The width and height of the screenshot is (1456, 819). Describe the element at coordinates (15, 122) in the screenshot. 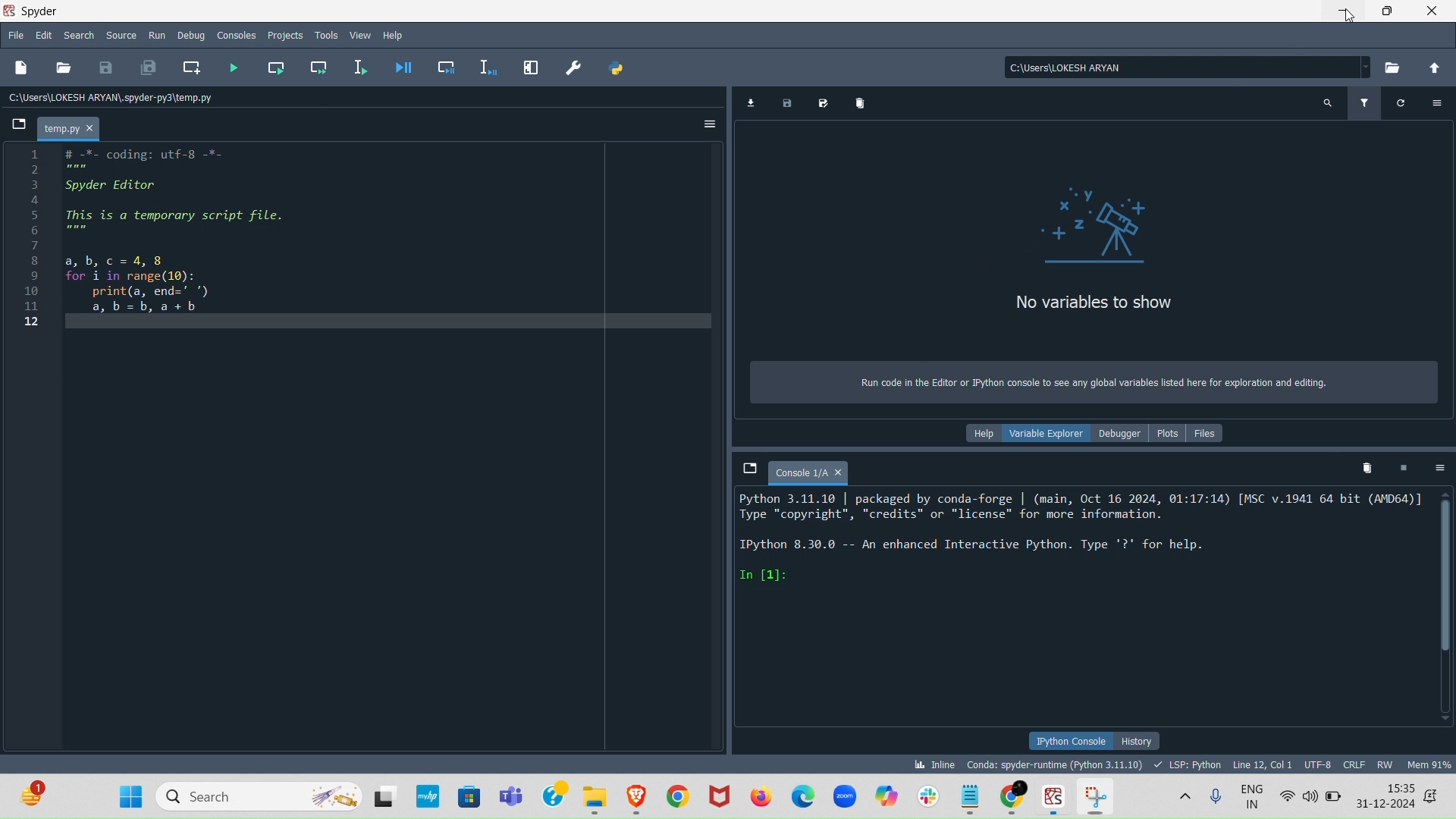

I see `Browse tabs` at that location.